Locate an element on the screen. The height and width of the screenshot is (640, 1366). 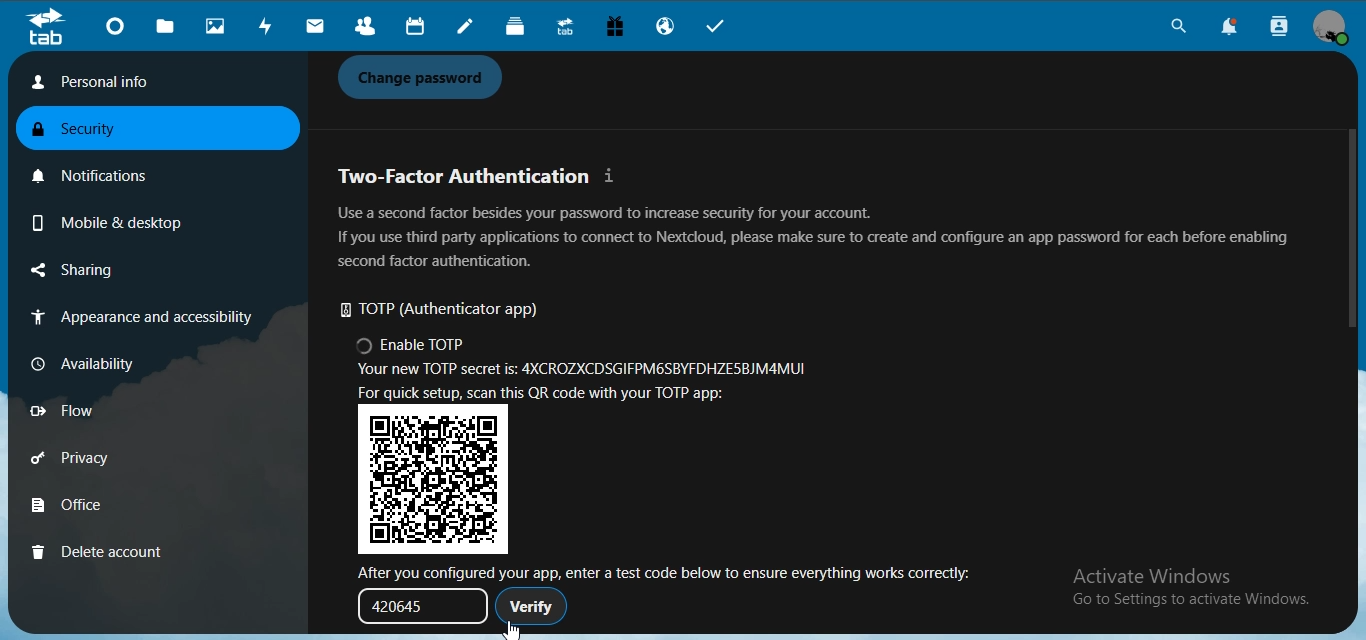
notifications is located at coordinates (101, 172).